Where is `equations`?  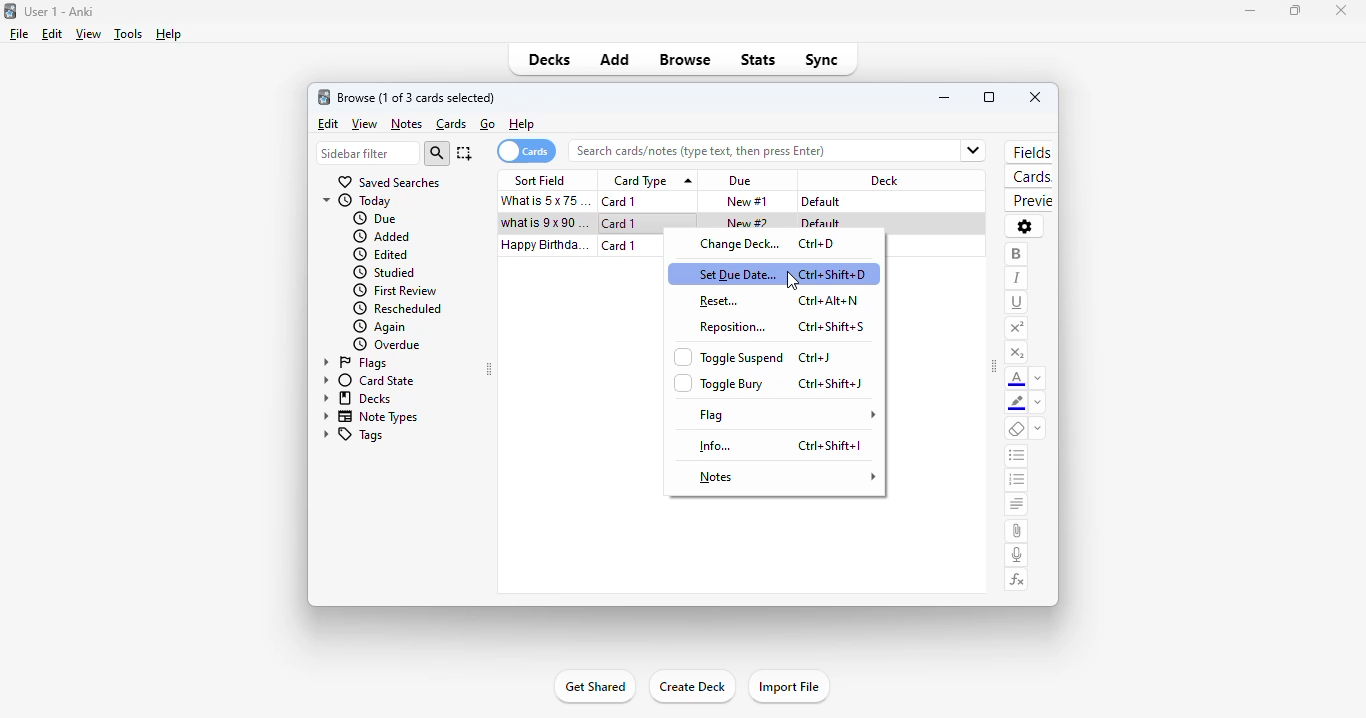
equations is located at coordinates (1018, 581).